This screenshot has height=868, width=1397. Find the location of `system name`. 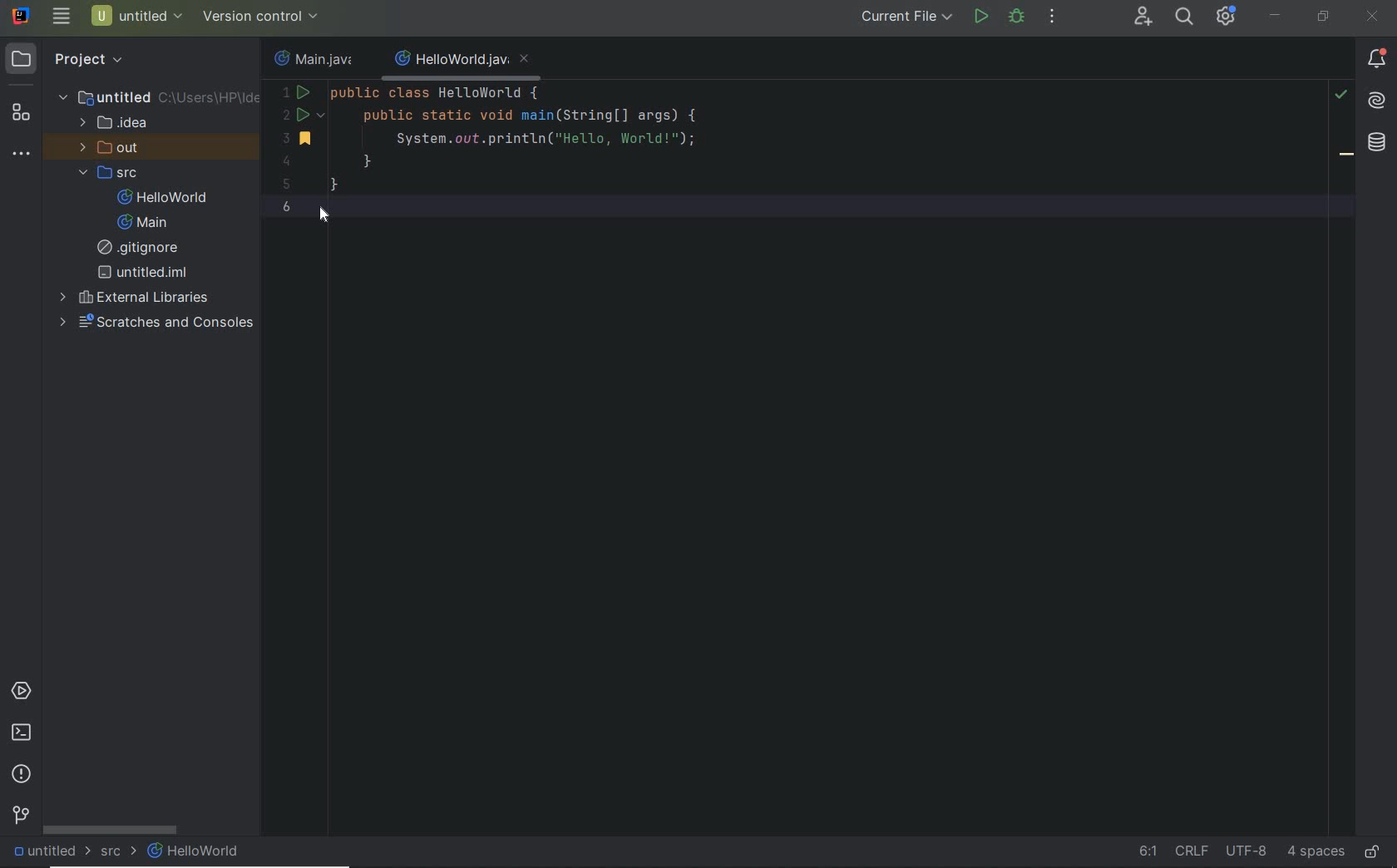

system name is located at coordinates (22, 15).